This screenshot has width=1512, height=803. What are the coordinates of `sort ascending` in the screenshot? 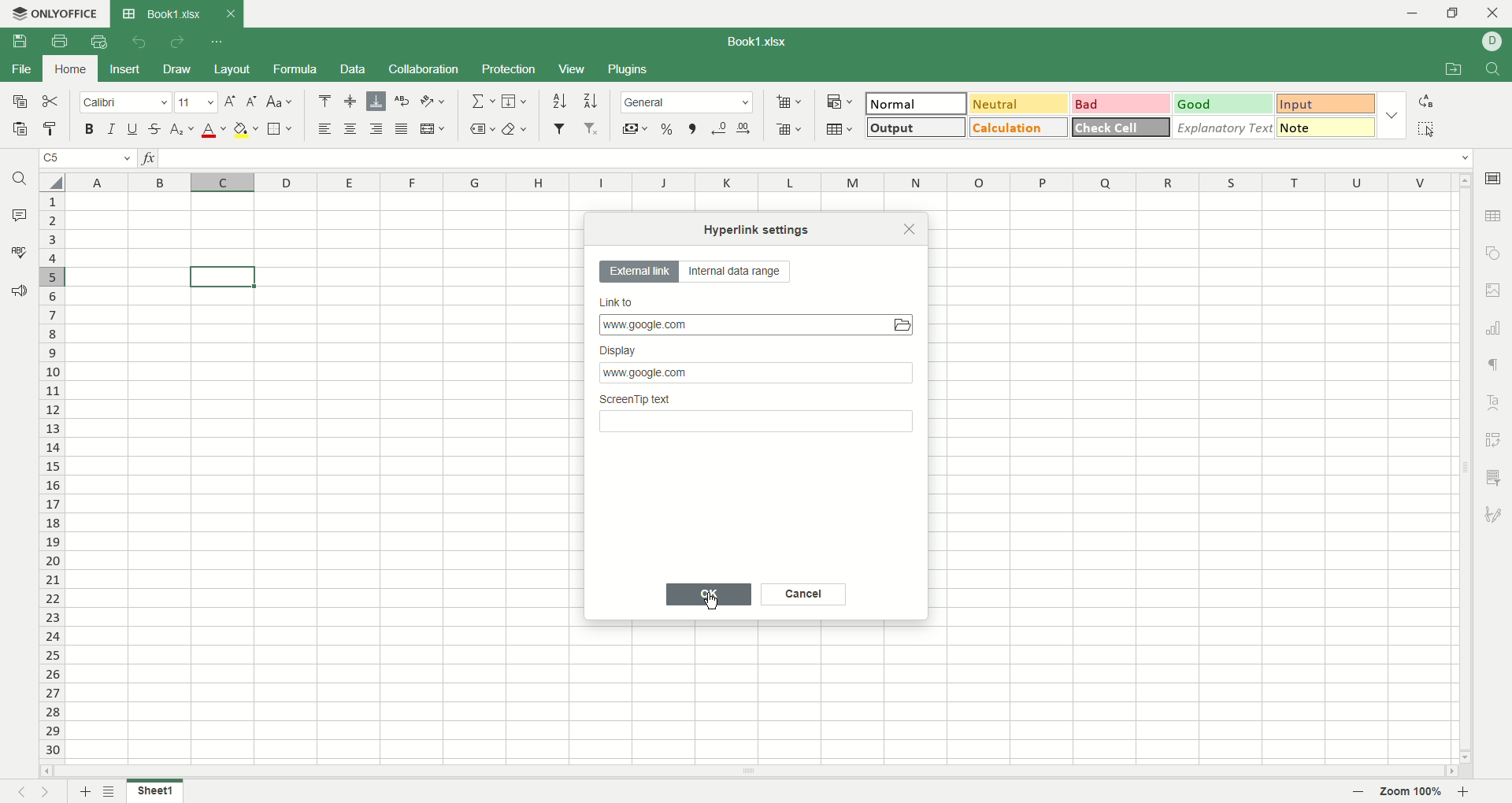 It's located at (559, 101).